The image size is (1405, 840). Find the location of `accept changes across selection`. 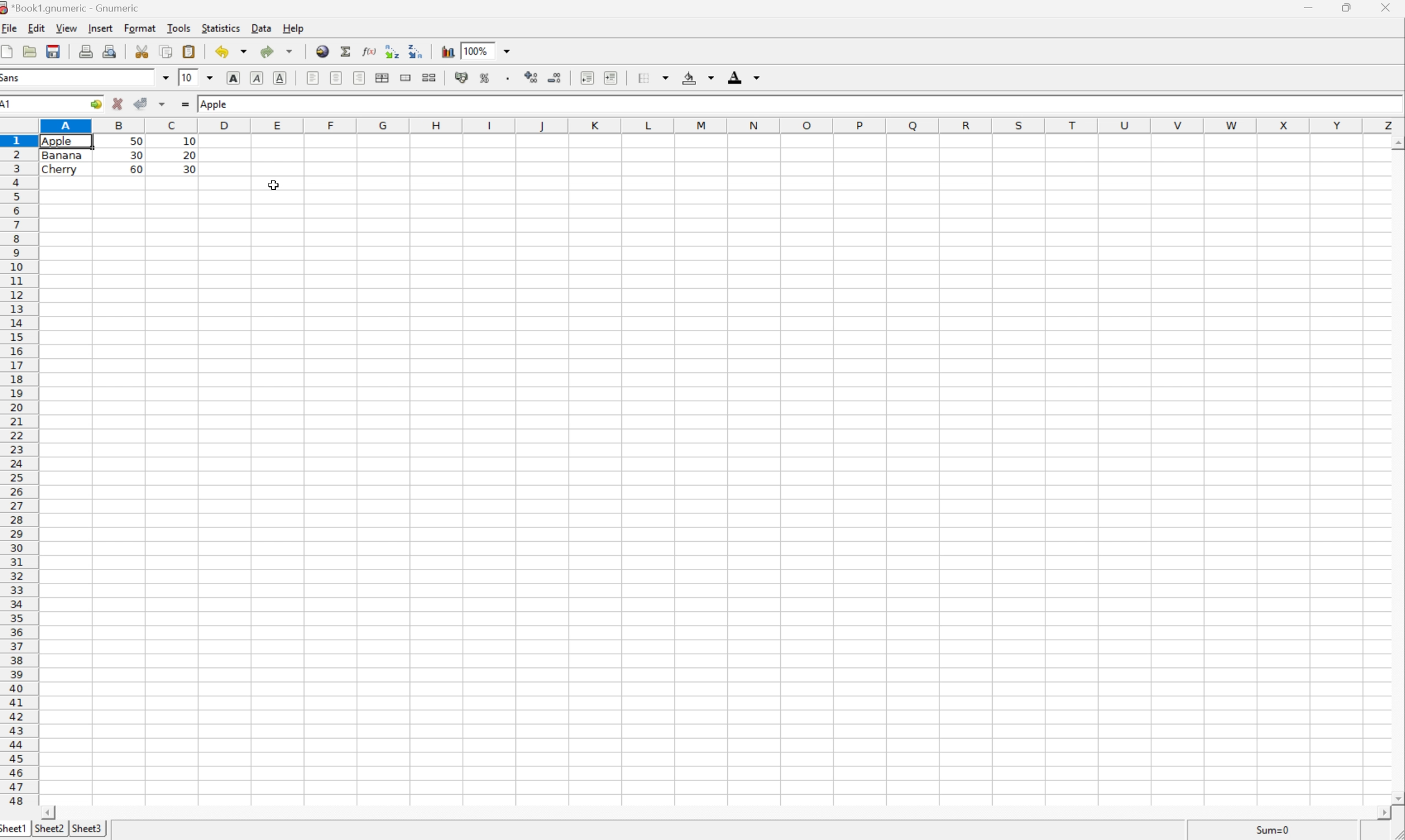

accept changes across selection is located at coordinates (164, 104).